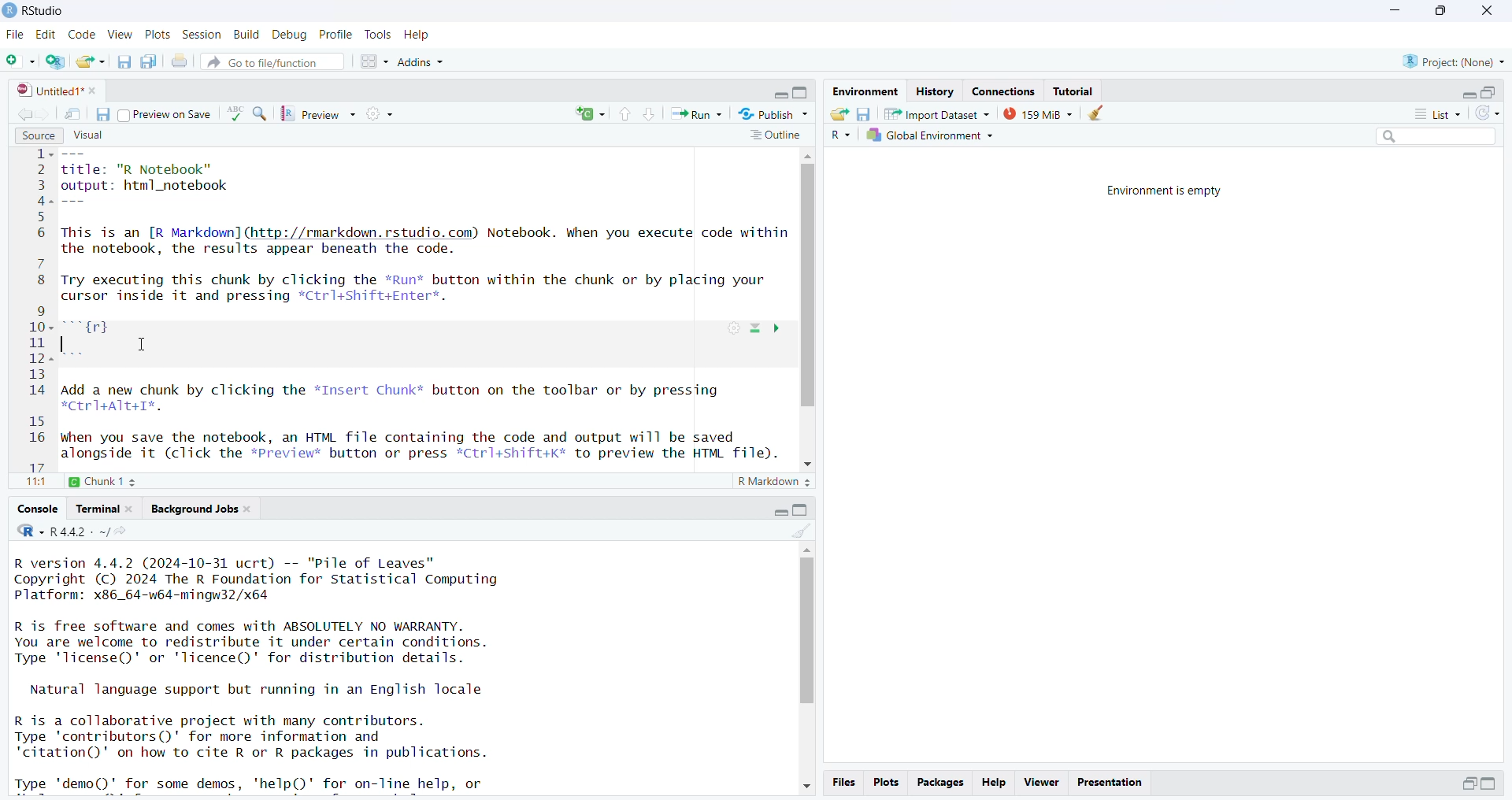 Image resolution: width=1512 pixels, height=800 pixels. What do you see at coordinates (885, 783) in the screenshot?
I see `plots` at bounding box center [885, 783].